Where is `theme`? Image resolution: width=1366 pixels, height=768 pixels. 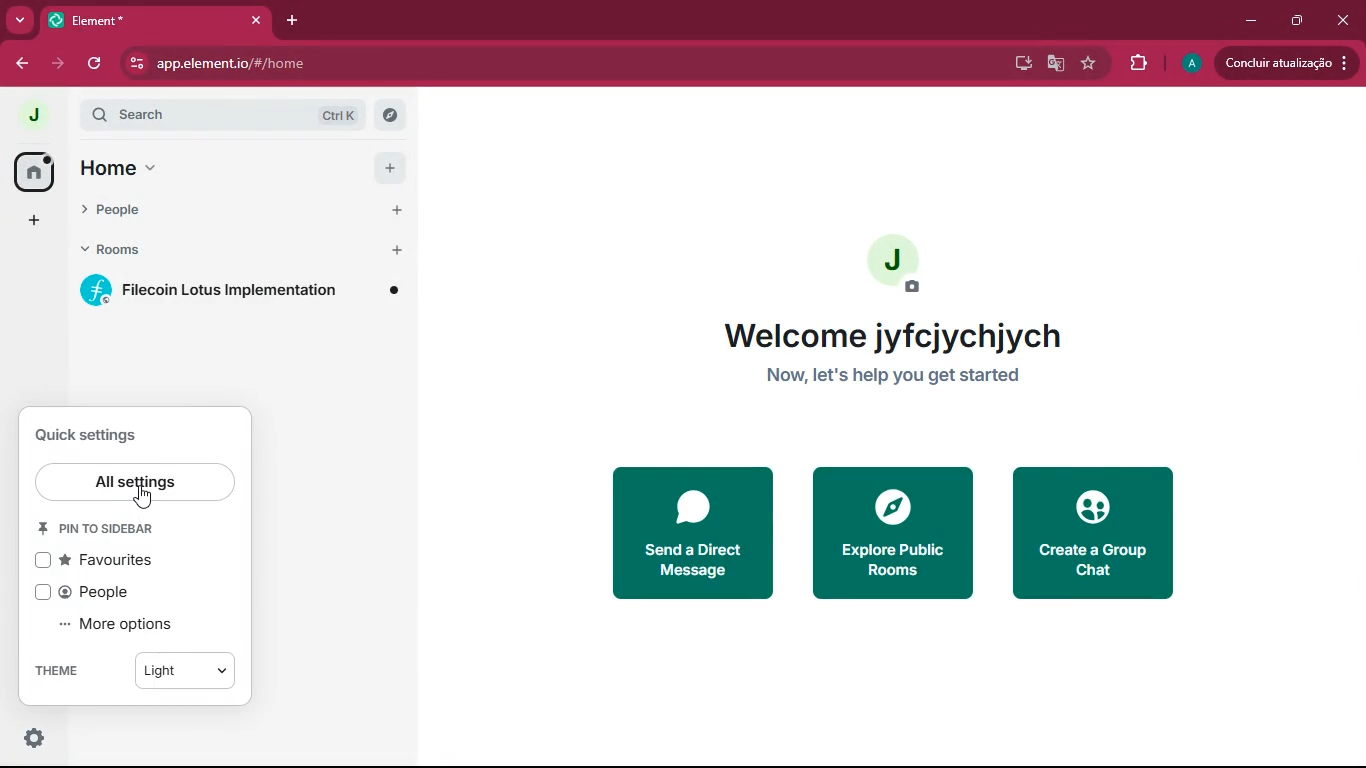
theme is located at coordinates (135, 670).